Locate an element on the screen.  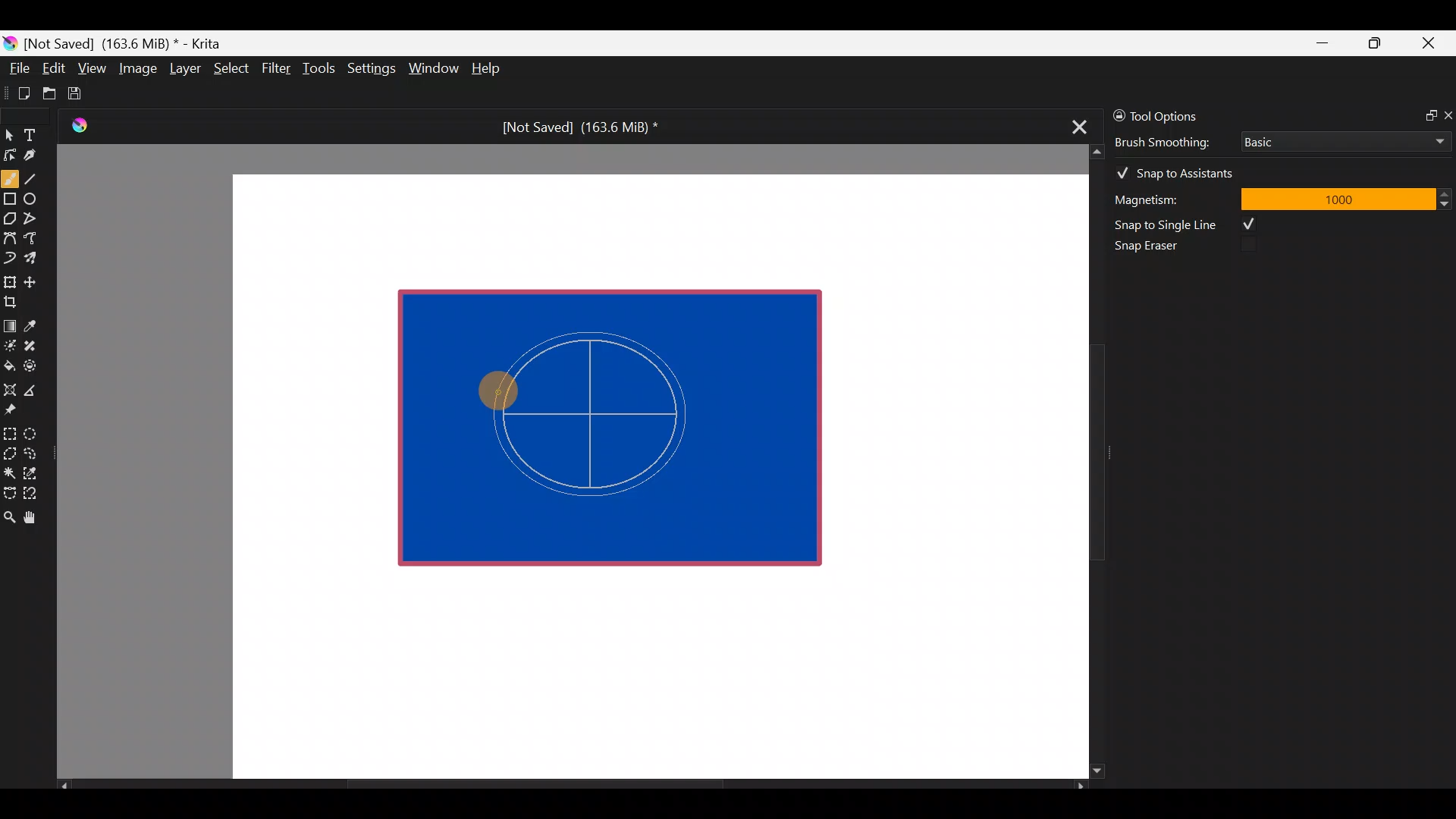
Colourise mask tool is located at coordinates (10, 344).